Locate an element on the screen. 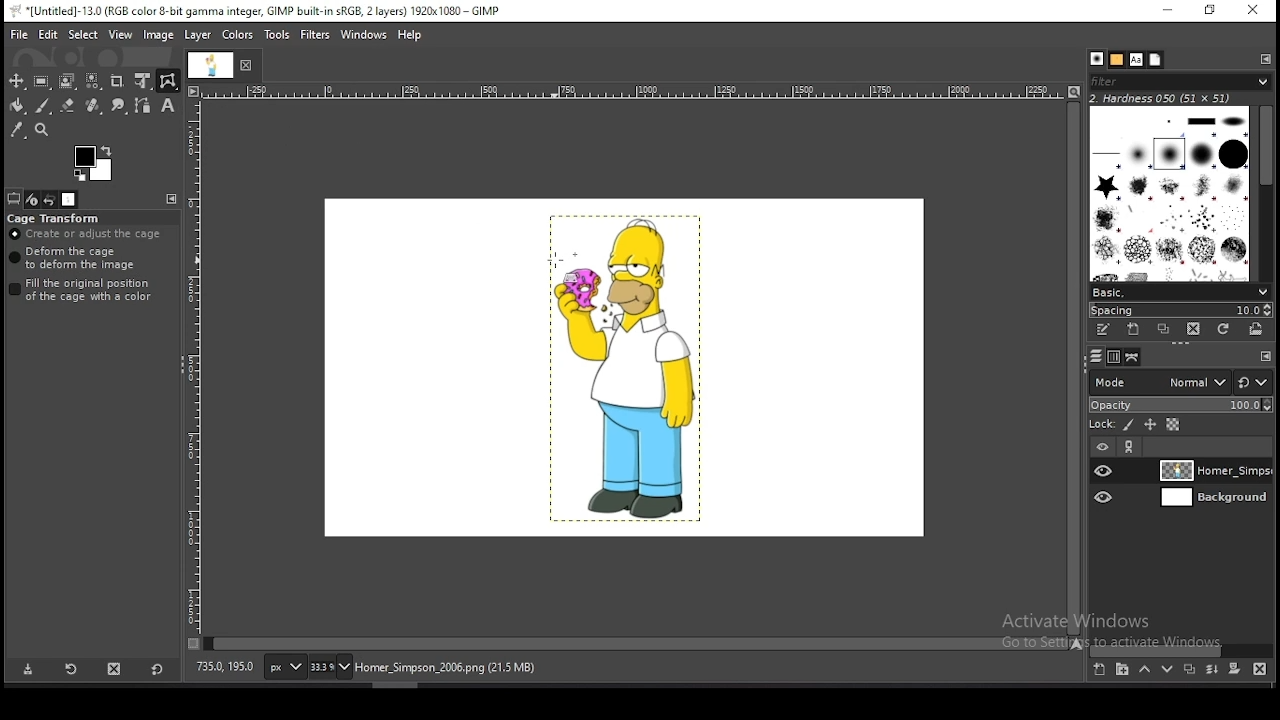  layers is located at coordinates (1093, 356).